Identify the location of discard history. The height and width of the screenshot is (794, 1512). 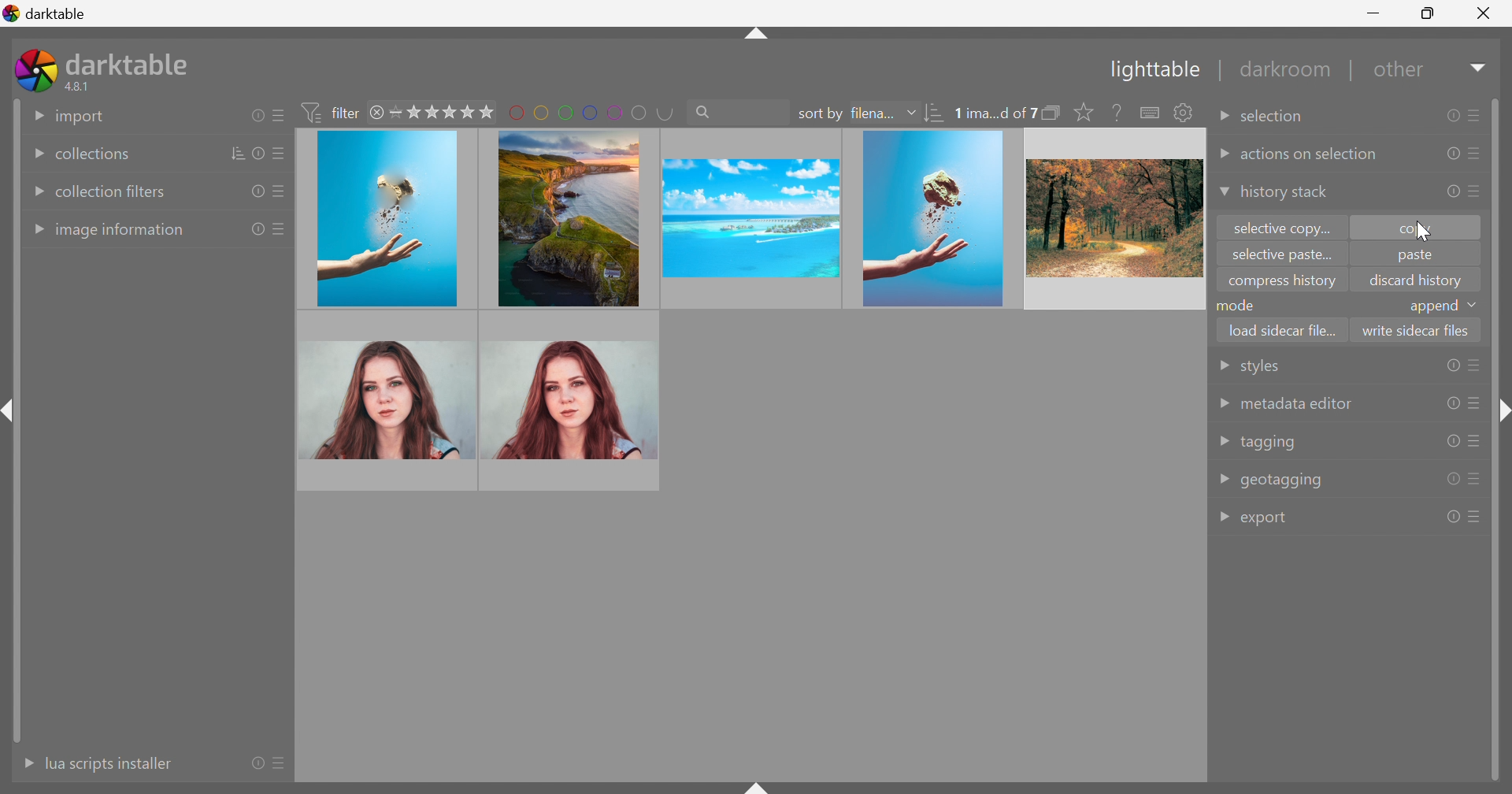
(1416, 280).